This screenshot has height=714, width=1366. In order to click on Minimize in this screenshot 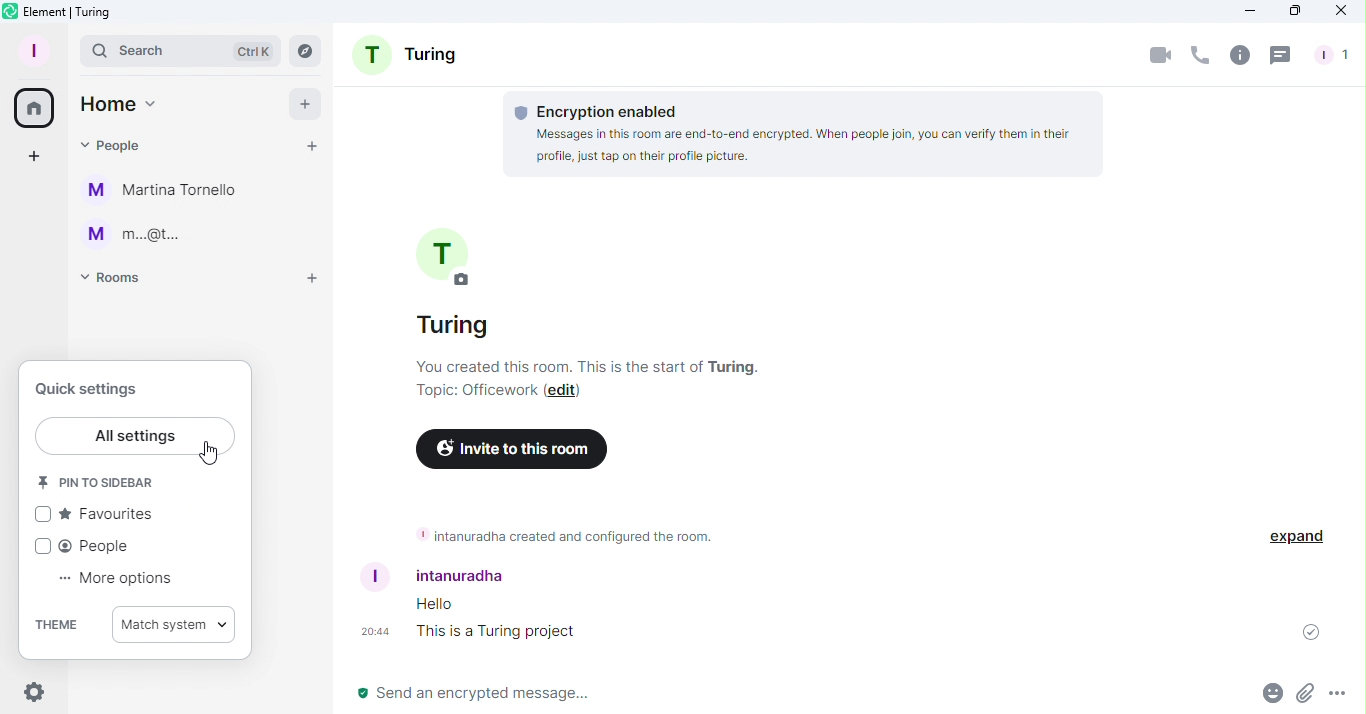, I will do `click(1244, 13)`.